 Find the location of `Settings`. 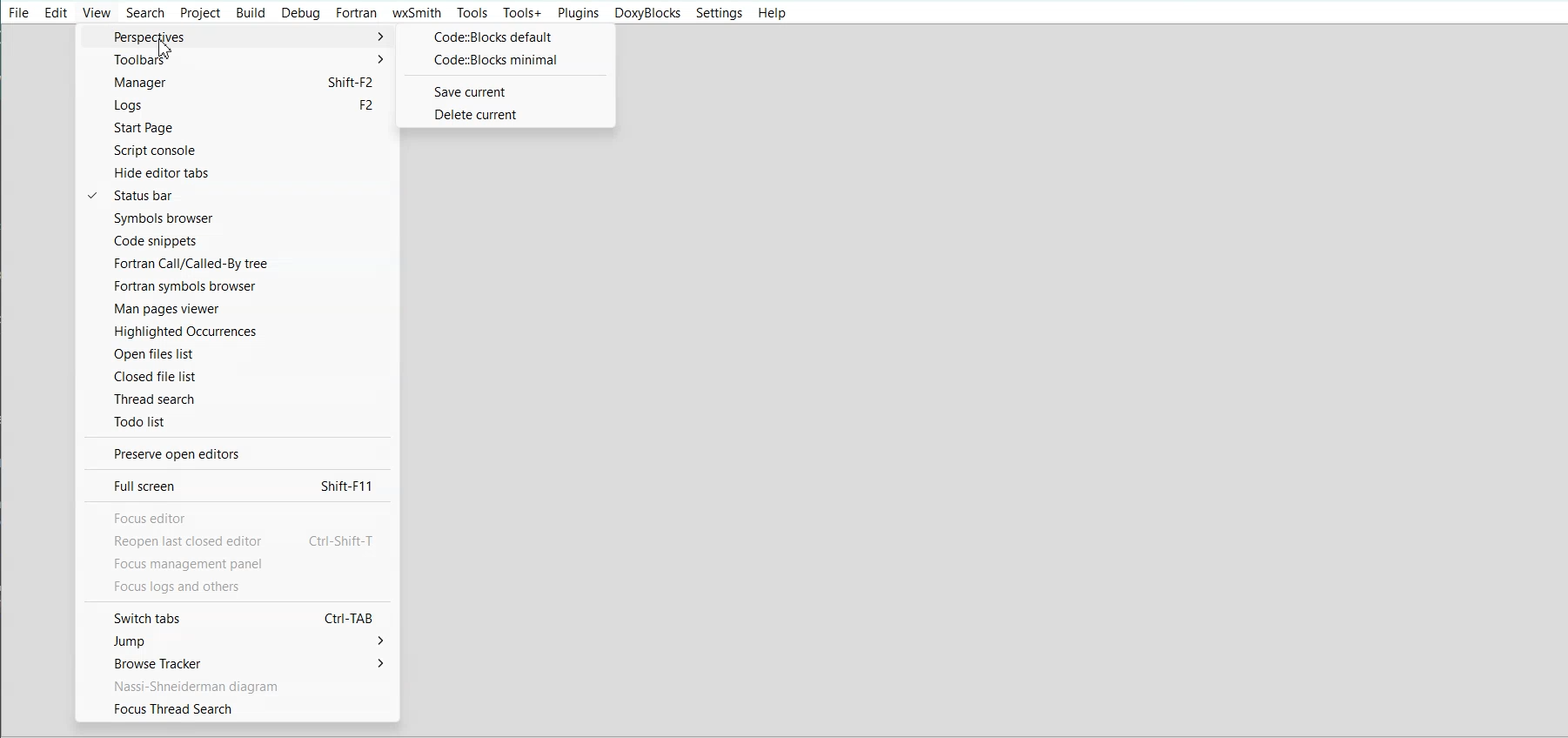

Settings is located at coordinates (719, 13).